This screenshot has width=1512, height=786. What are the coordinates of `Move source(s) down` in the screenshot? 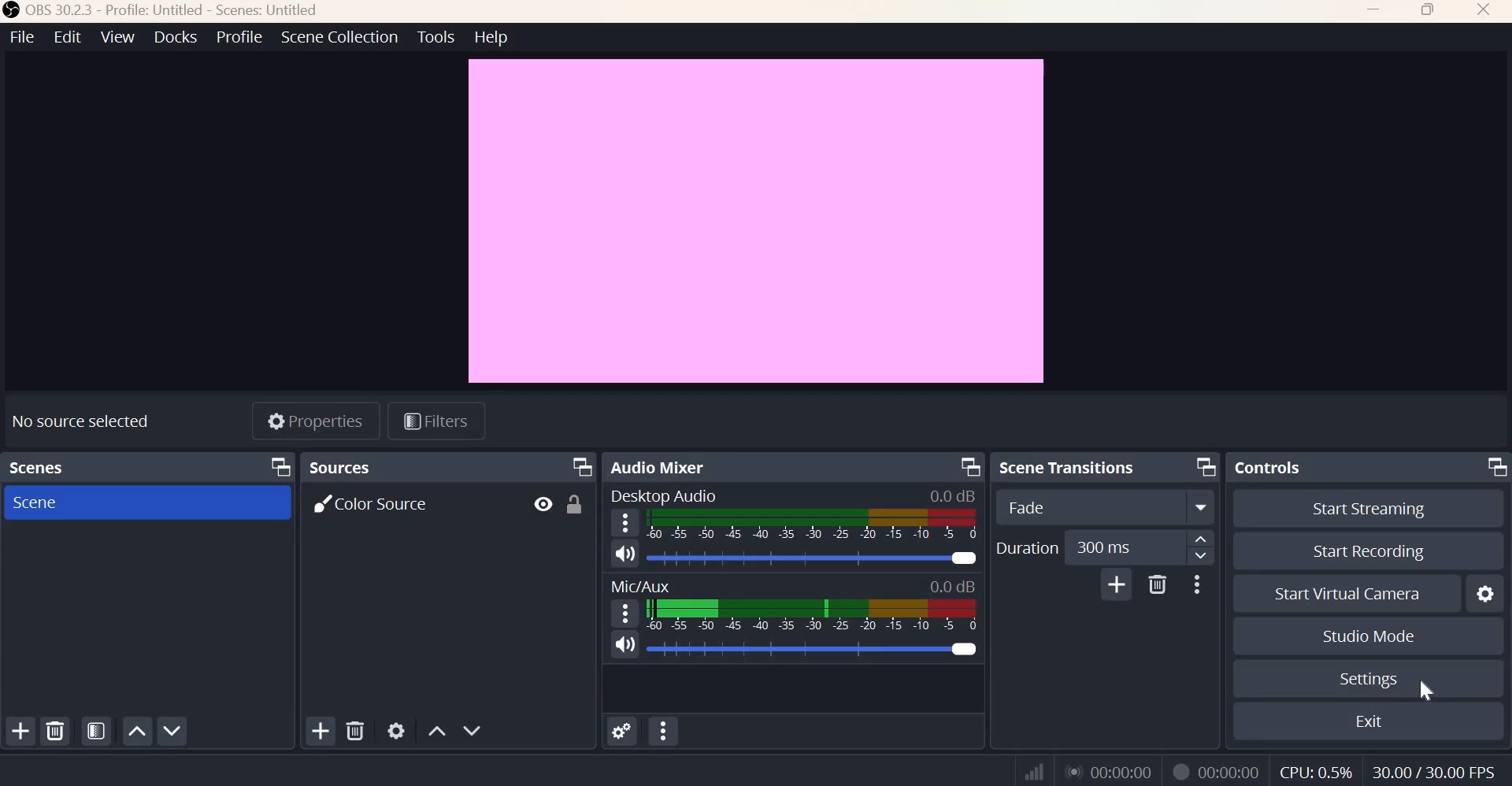 It's located at (472, 730).